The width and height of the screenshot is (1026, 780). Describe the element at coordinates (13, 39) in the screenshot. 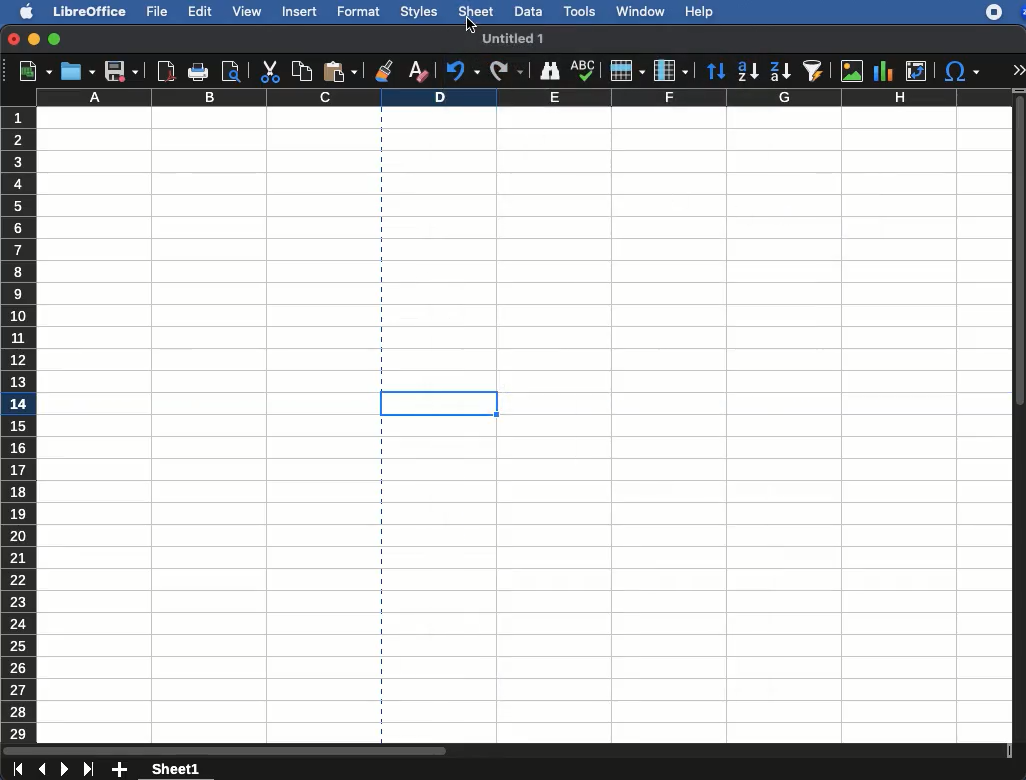

I see `close` at that location.